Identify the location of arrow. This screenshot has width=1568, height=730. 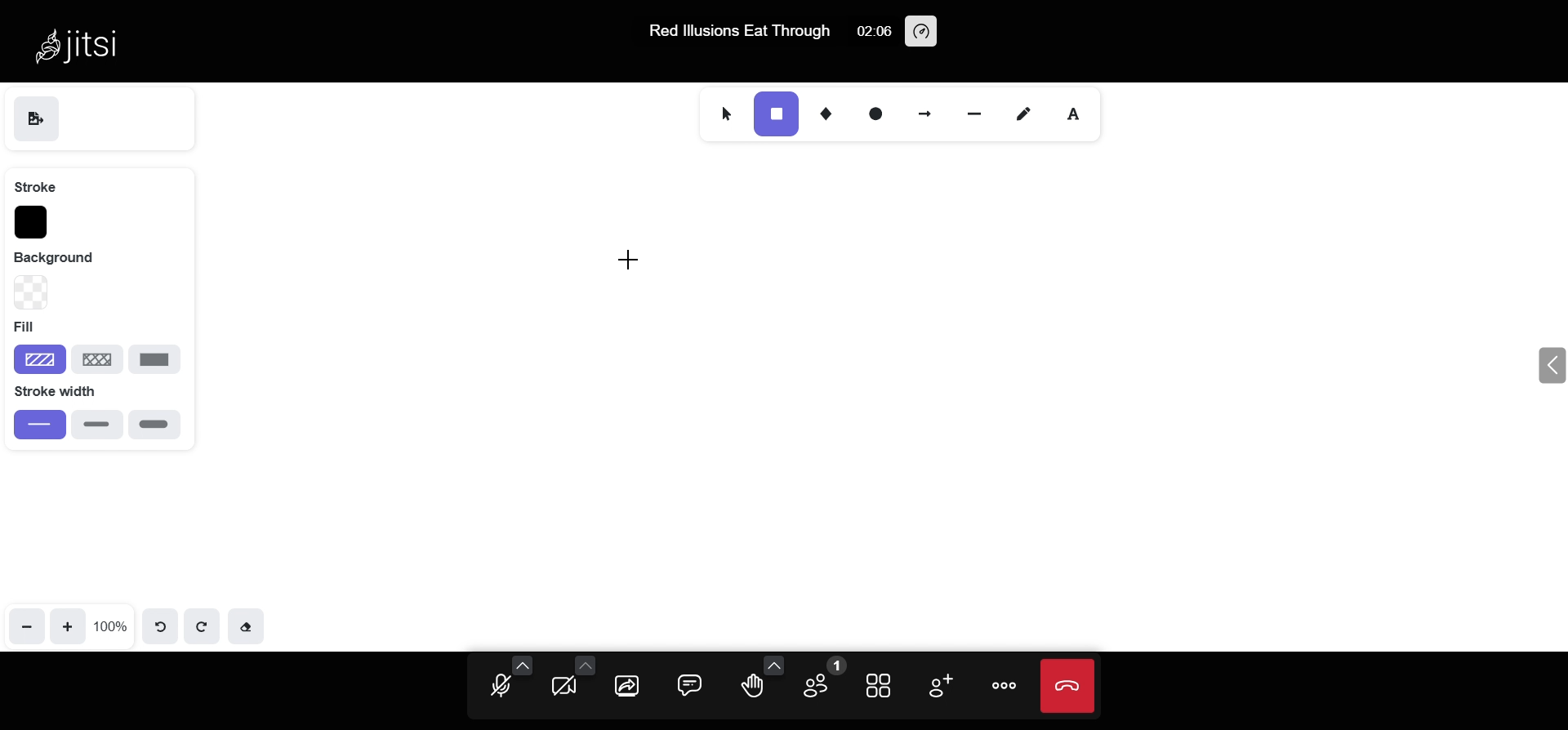
(922, 109).